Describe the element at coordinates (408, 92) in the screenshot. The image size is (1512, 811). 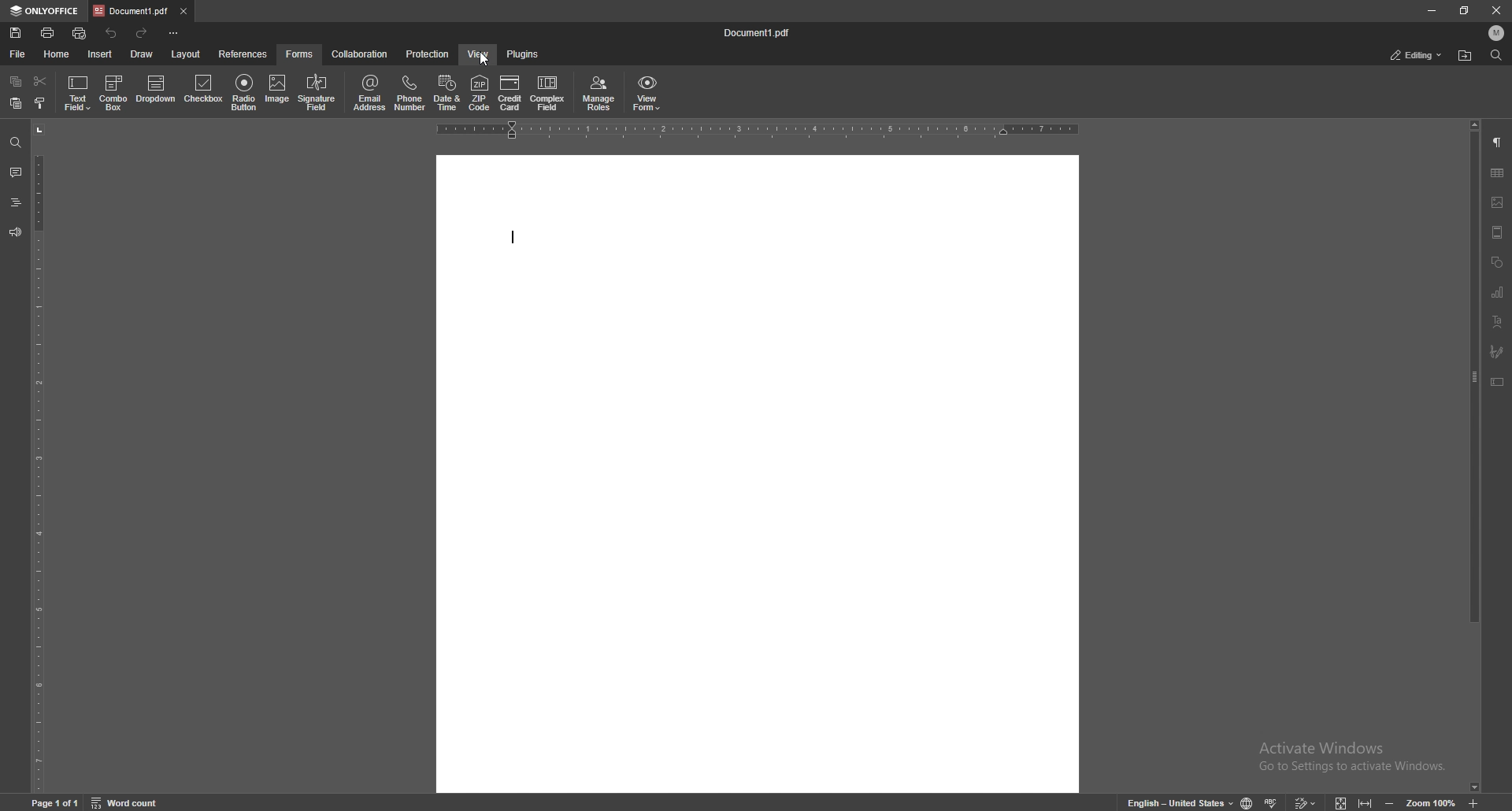
I see `phone number` at that location.